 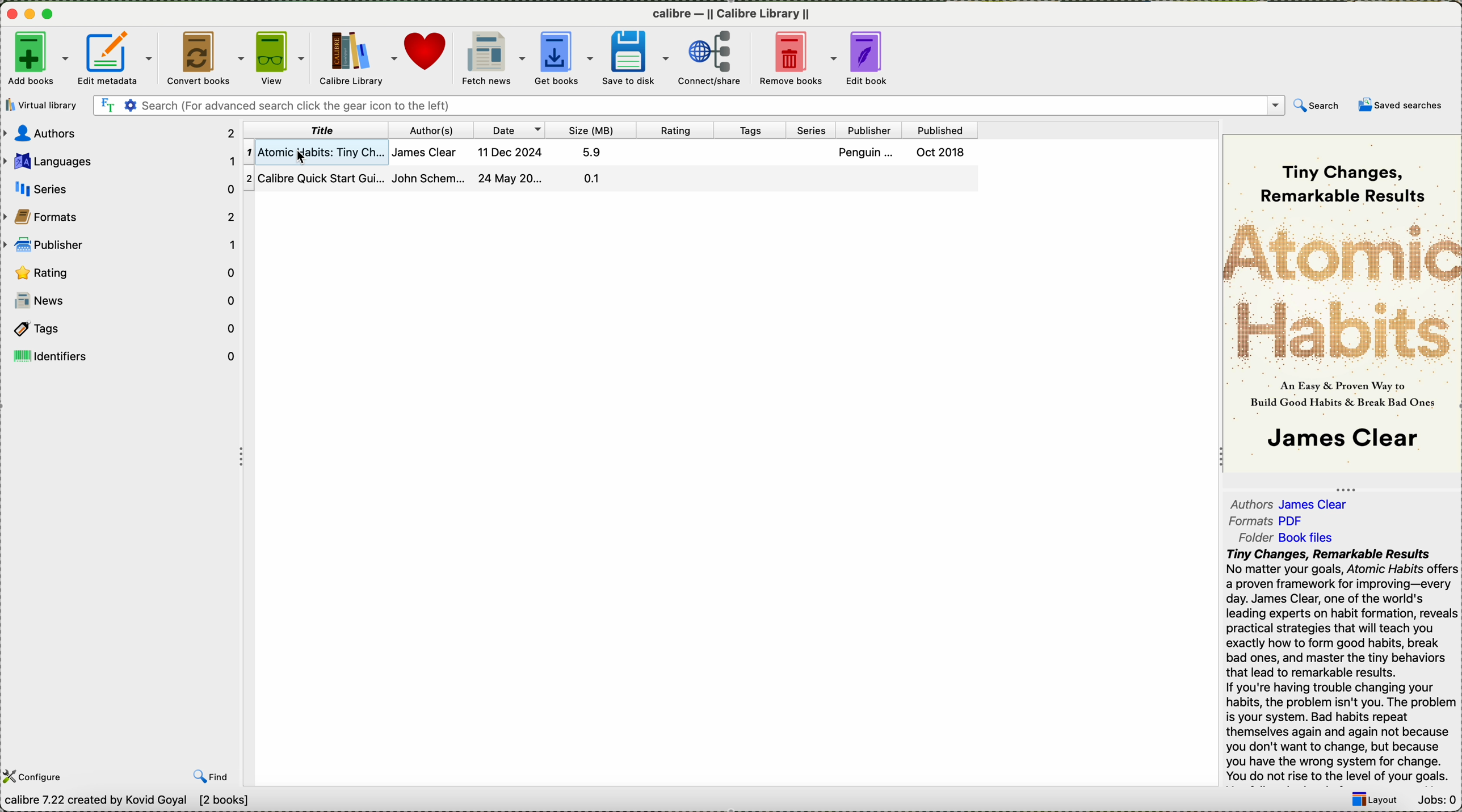 What do you see at coordinates (28, 15) in the screenshot?
I see `minimize` at bounding box center [28, 15].